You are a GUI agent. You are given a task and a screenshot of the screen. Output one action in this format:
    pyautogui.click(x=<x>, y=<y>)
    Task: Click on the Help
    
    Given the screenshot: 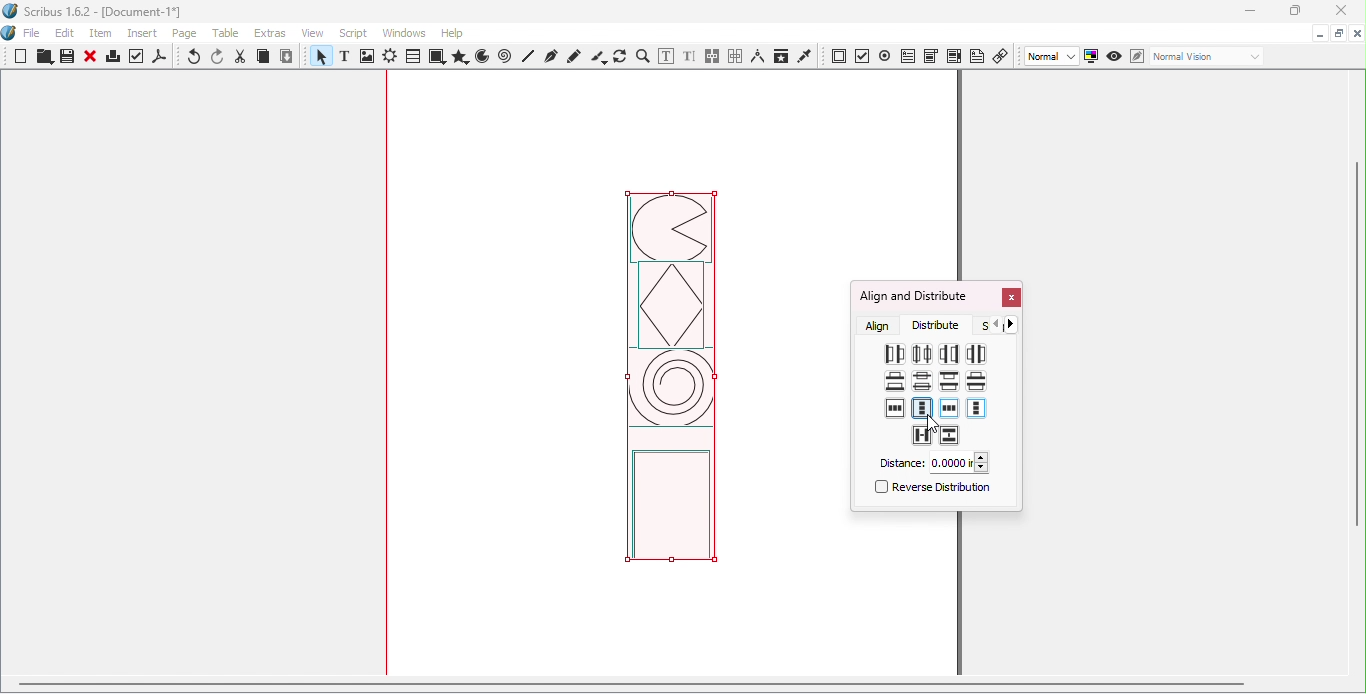 What is the action you would take?
    pyautogui.click(x=452, y=33)
    